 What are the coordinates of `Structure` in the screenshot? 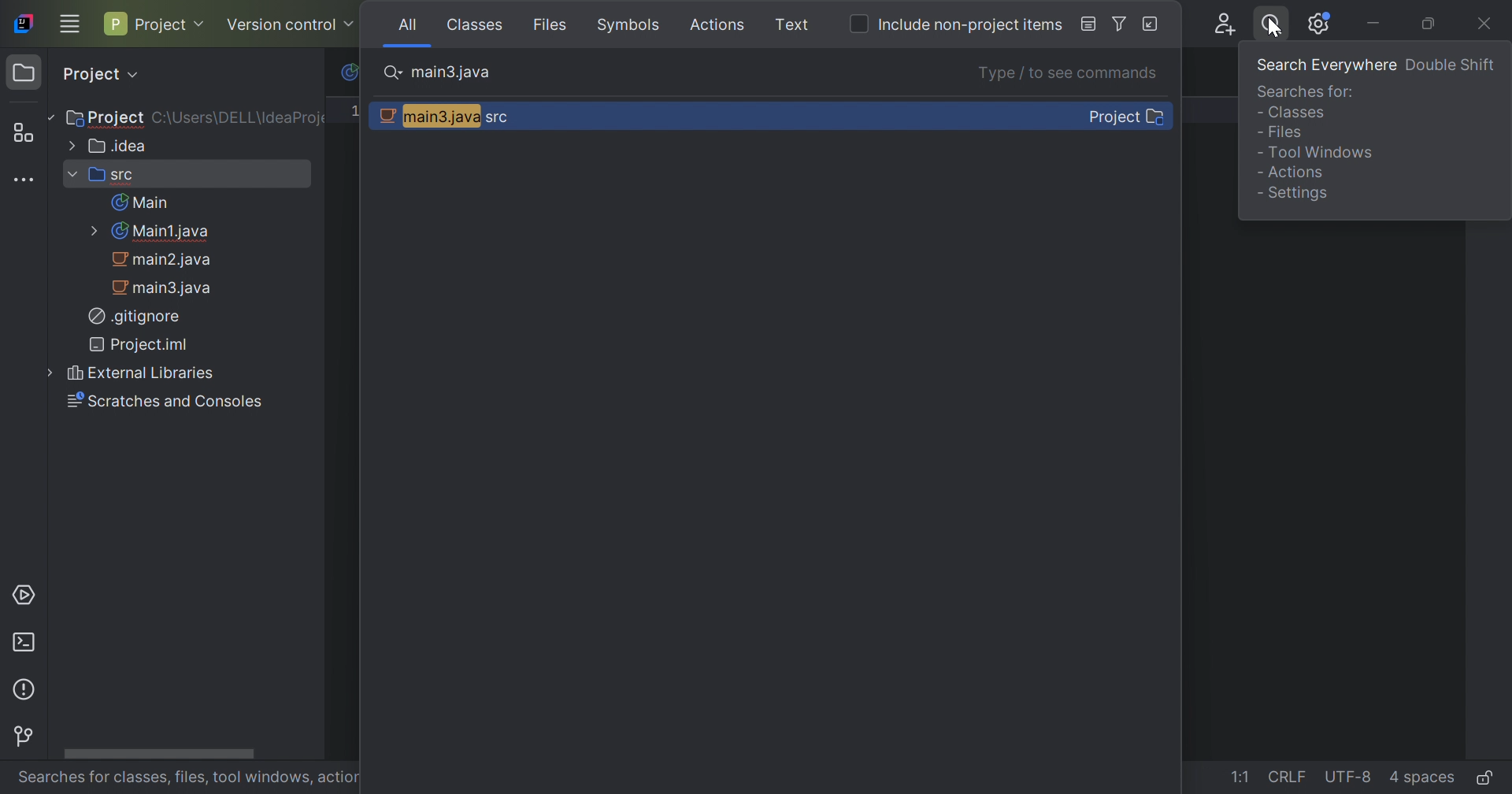 It's located at (21, 132).